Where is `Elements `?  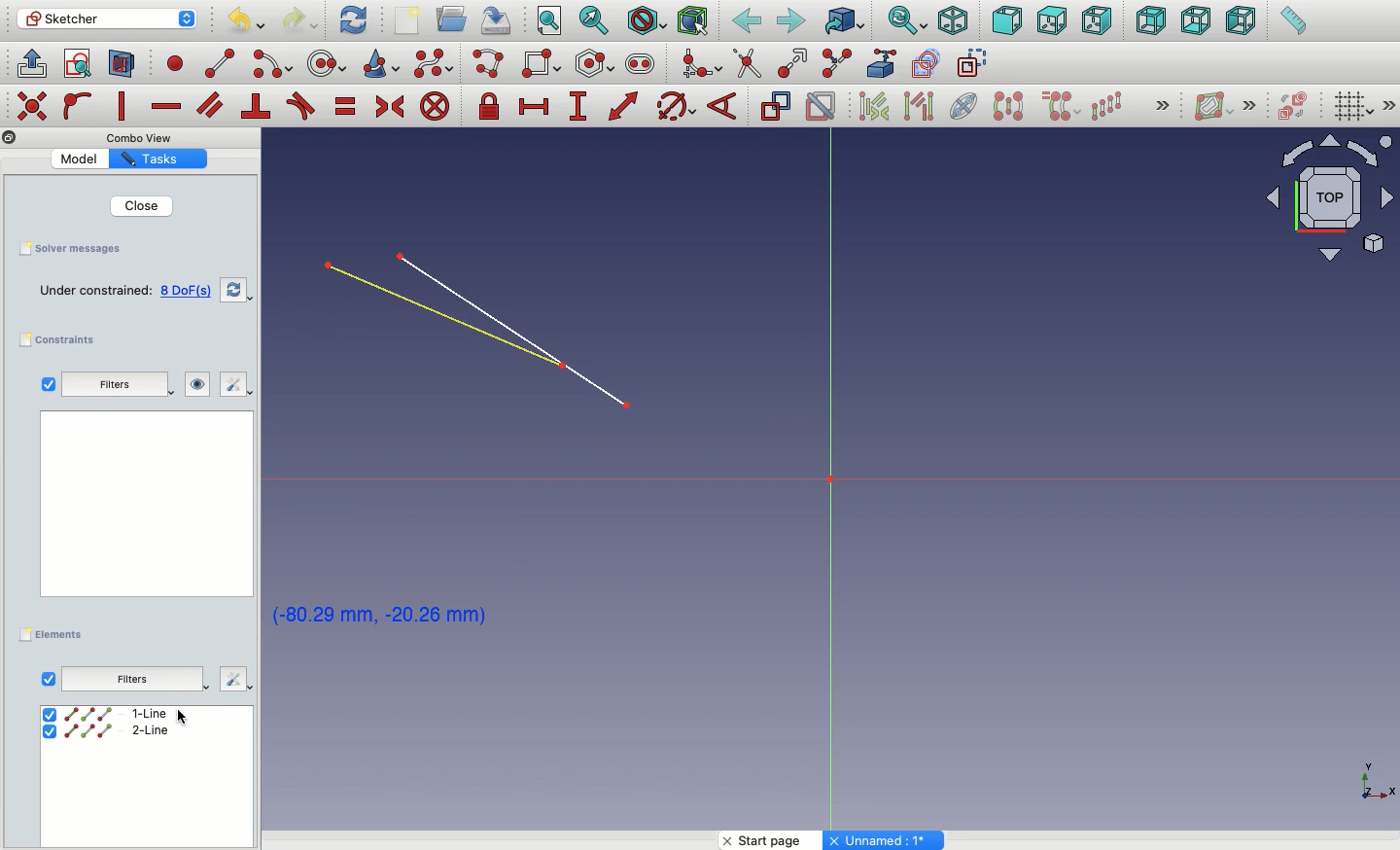 Elements  is located at coordinates (55, 633).